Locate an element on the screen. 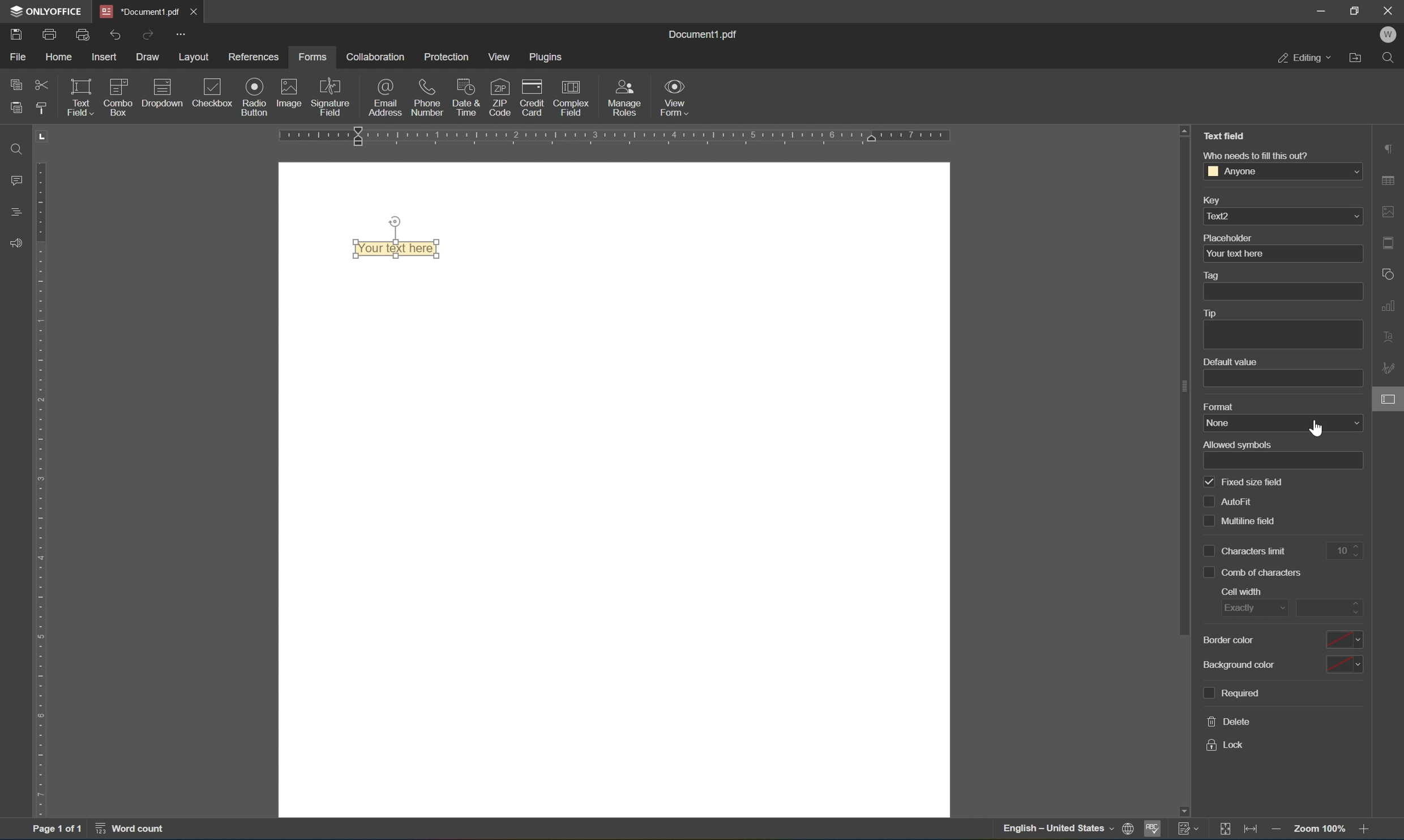 Image resolution: width=1404 pixels, height=840 pixels. delete is located at coordinates (1226, 721).